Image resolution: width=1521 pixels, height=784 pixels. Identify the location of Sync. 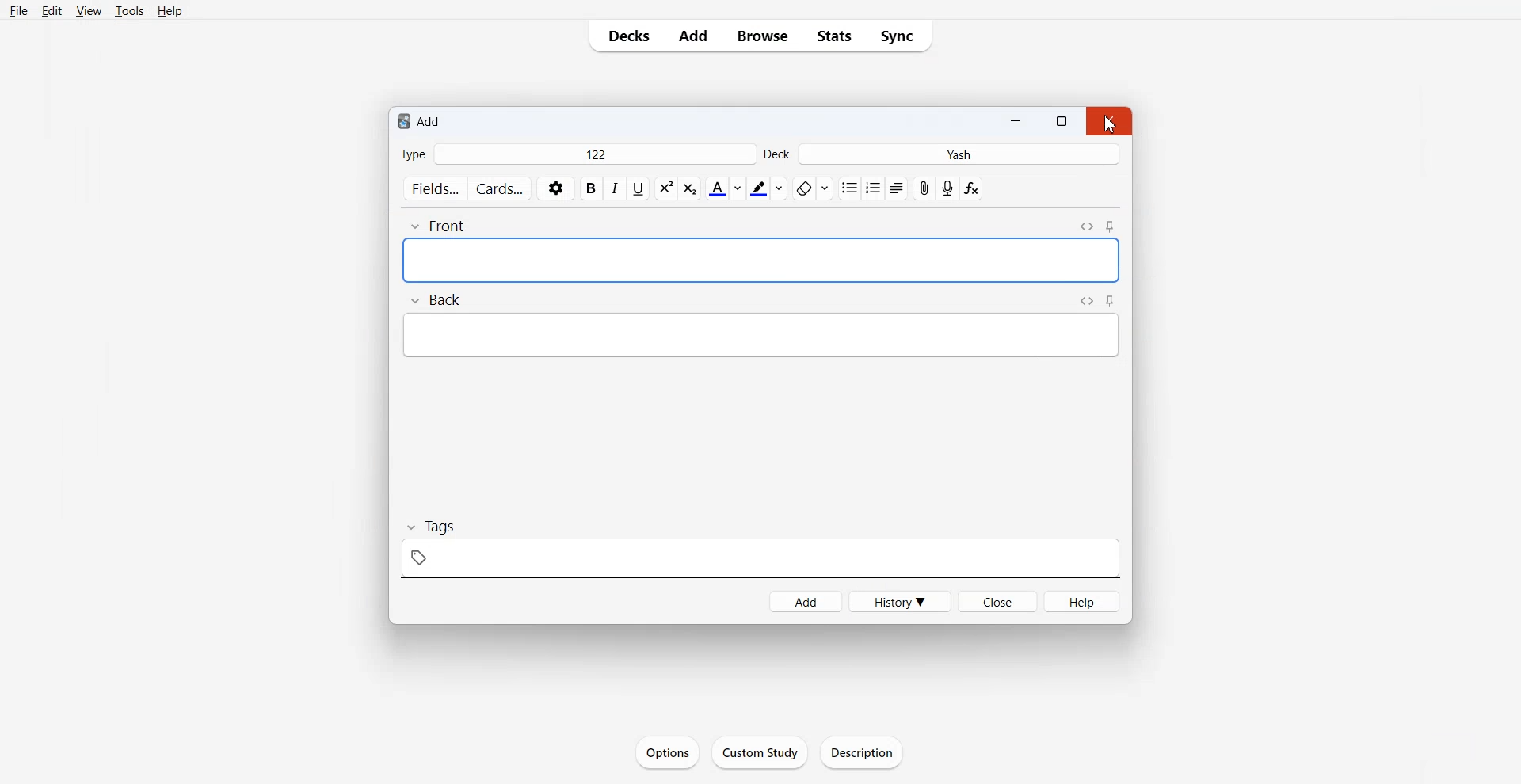
(898, 36).